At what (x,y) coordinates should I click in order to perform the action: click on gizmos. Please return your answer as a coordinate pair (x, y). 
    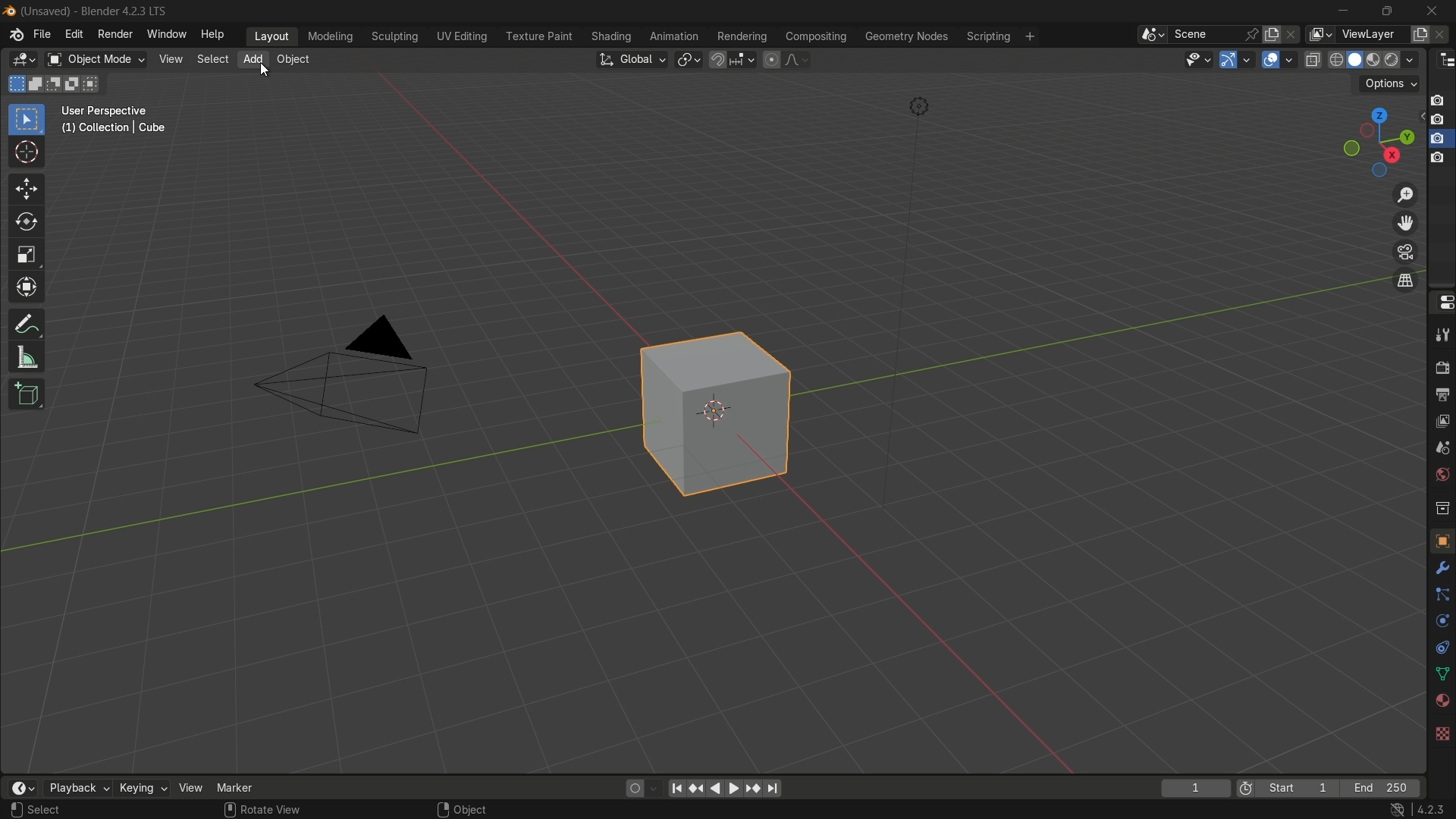
    Looking at the image, I should click on (1247, 58).